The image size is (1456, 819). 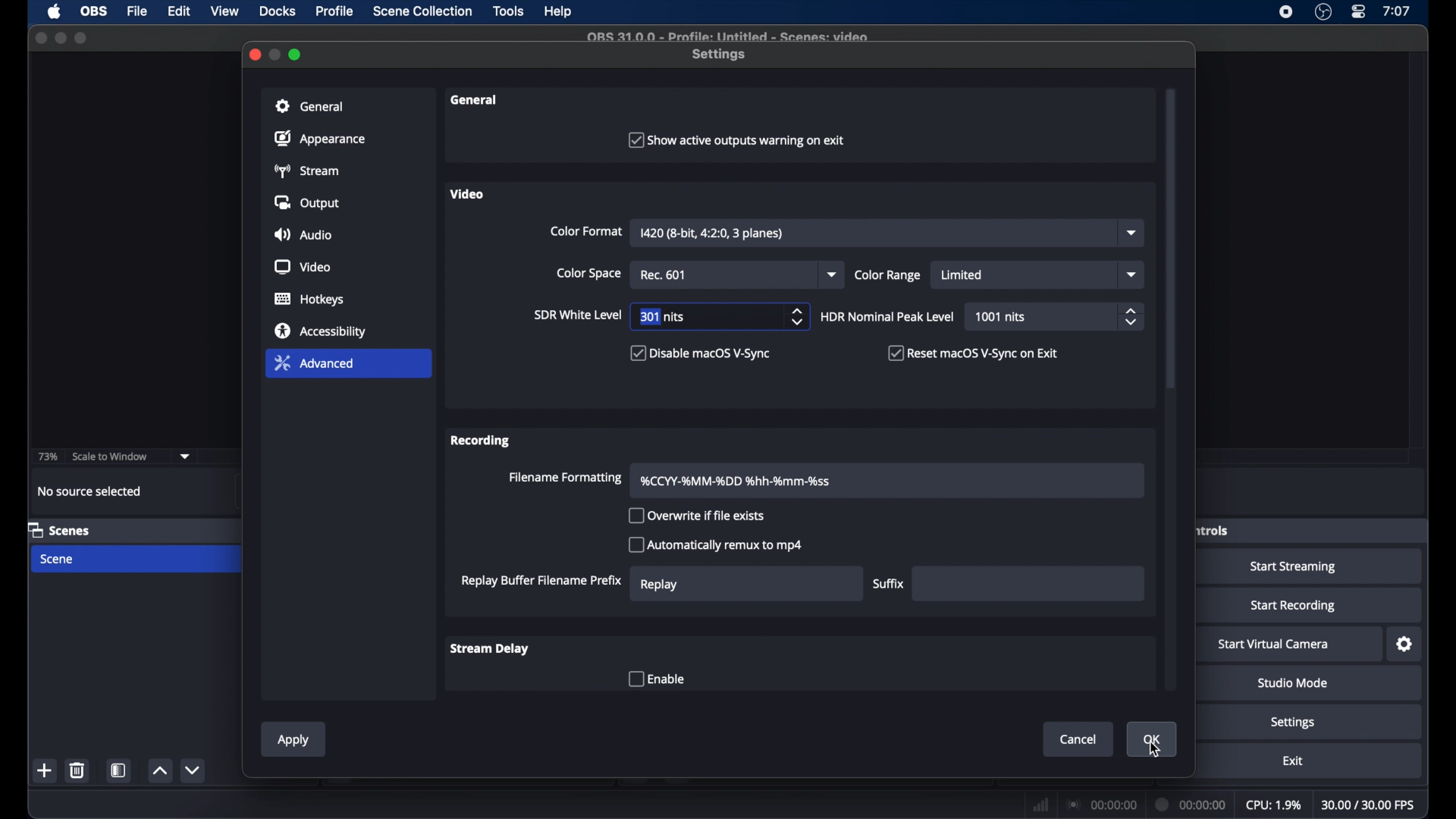 I want to click on replay, so click(x=658, y=585).